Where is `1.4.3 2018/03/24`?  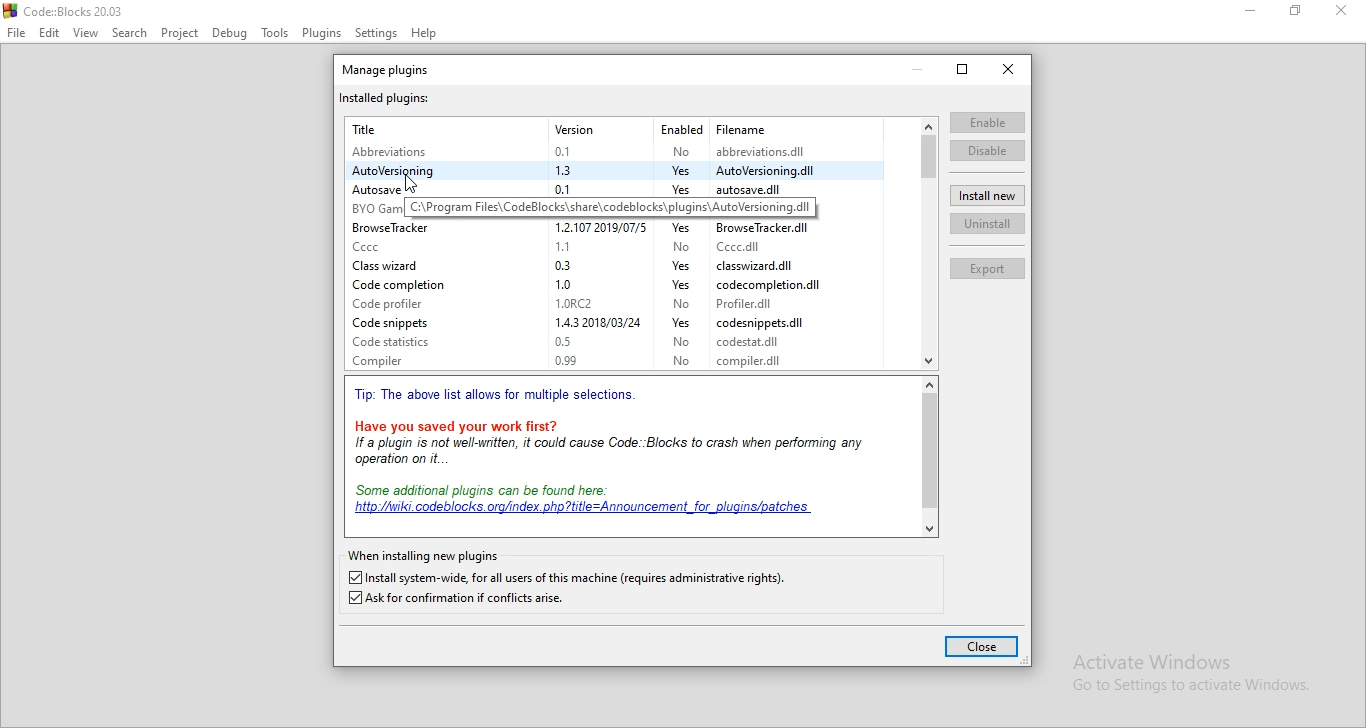 1.4.3 2018/03/24 is located at coordinates (591, 325).